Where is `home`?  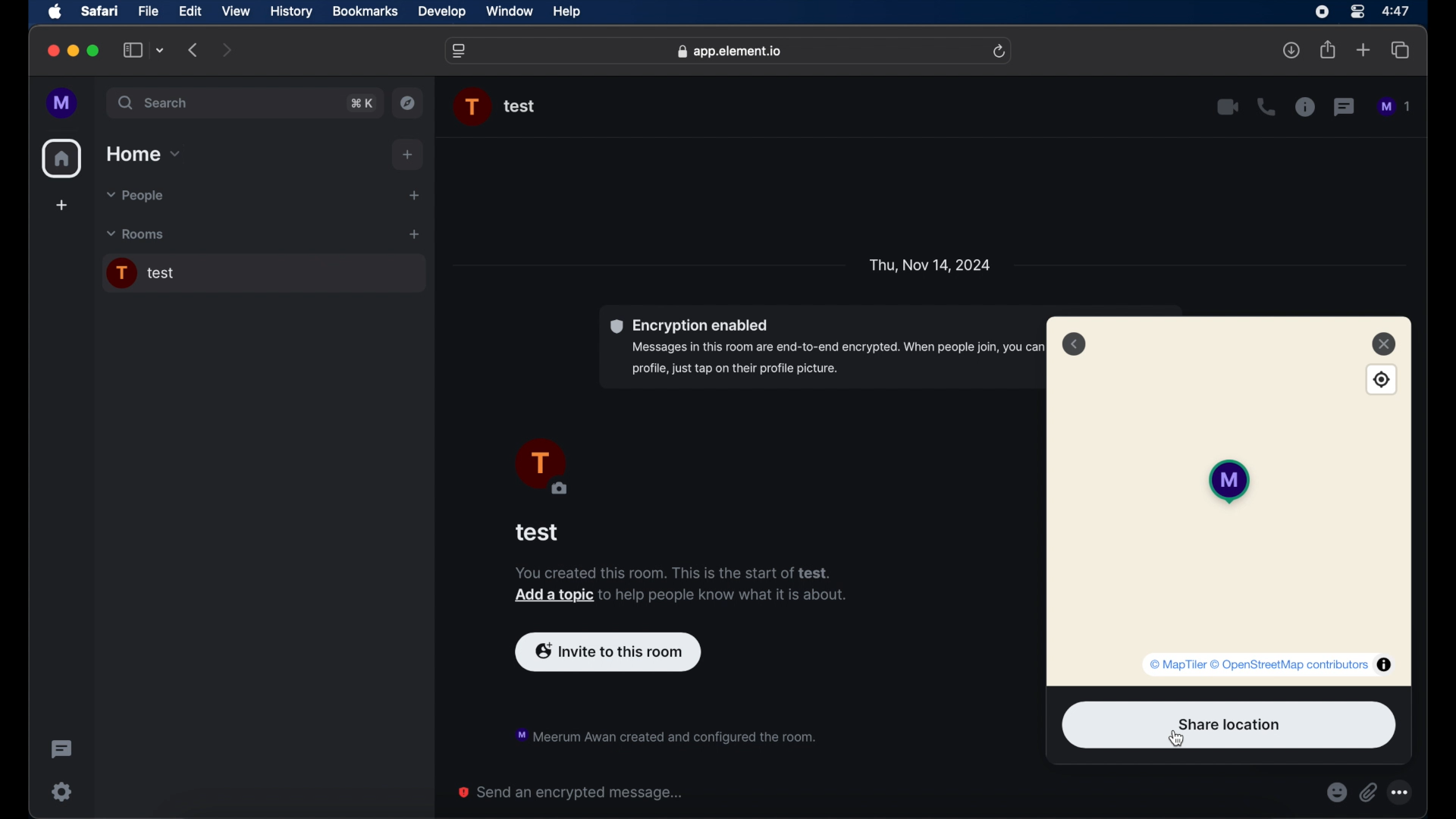 home is located at coordinates (62, 158).